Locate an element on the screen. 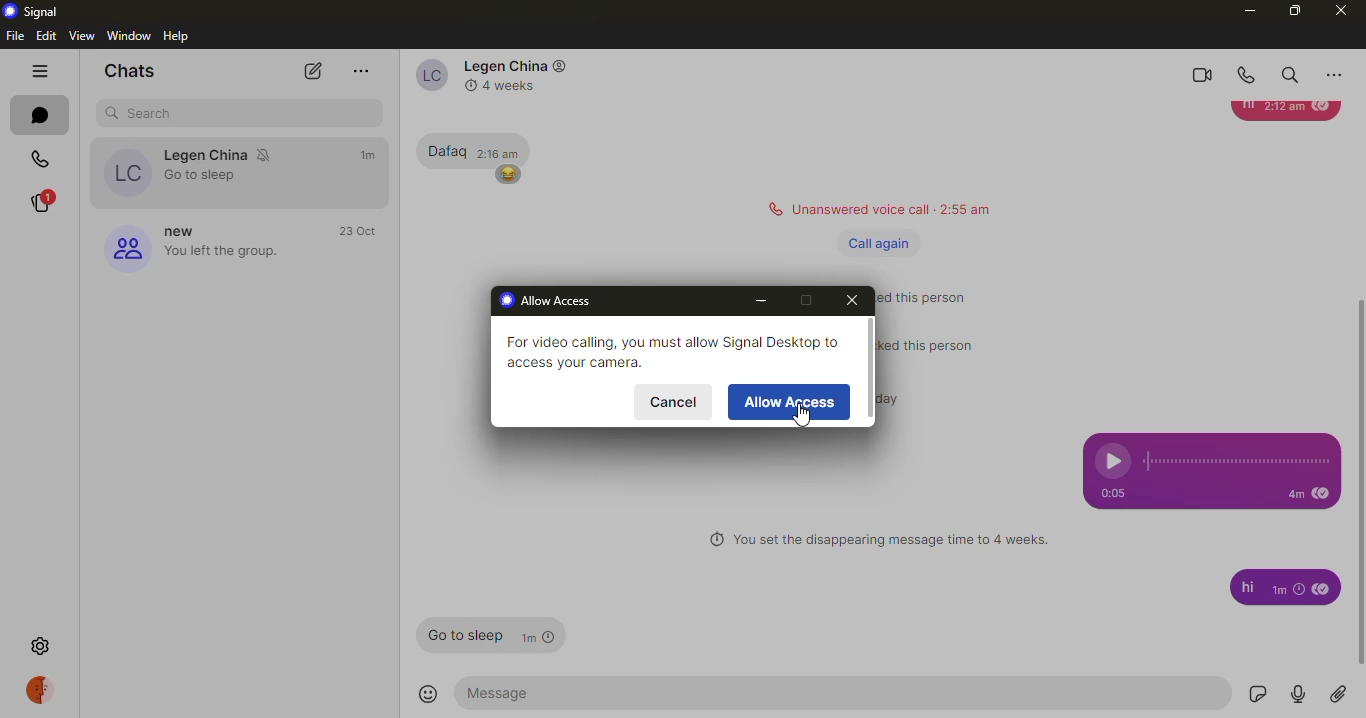 This screenshot has height=718, width=1366. minimize is located at coordinates (1244, 10).